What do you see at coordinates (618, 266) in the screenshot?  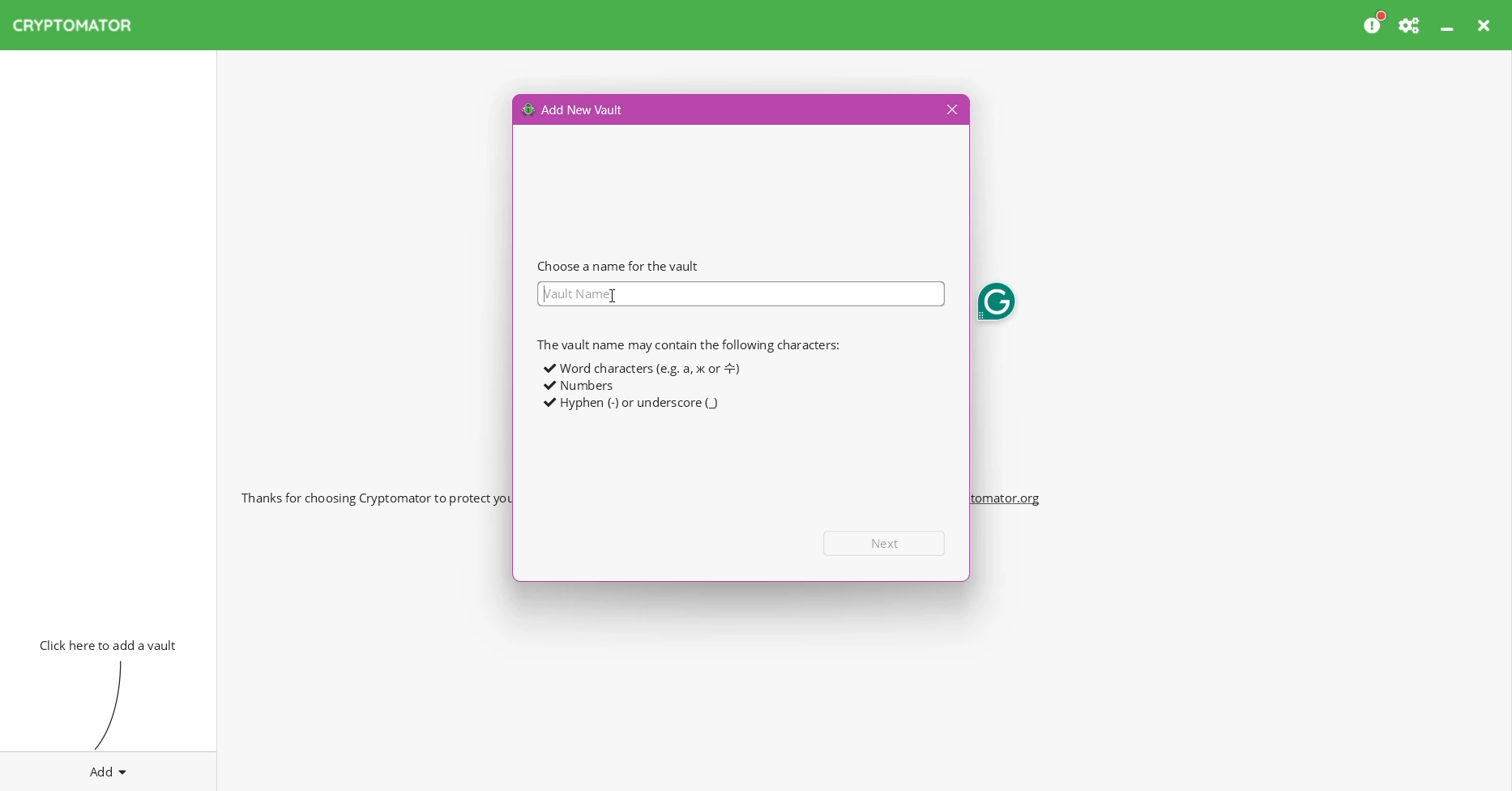 I see `Choose a name for the vault` at bounding box center [618, 266].